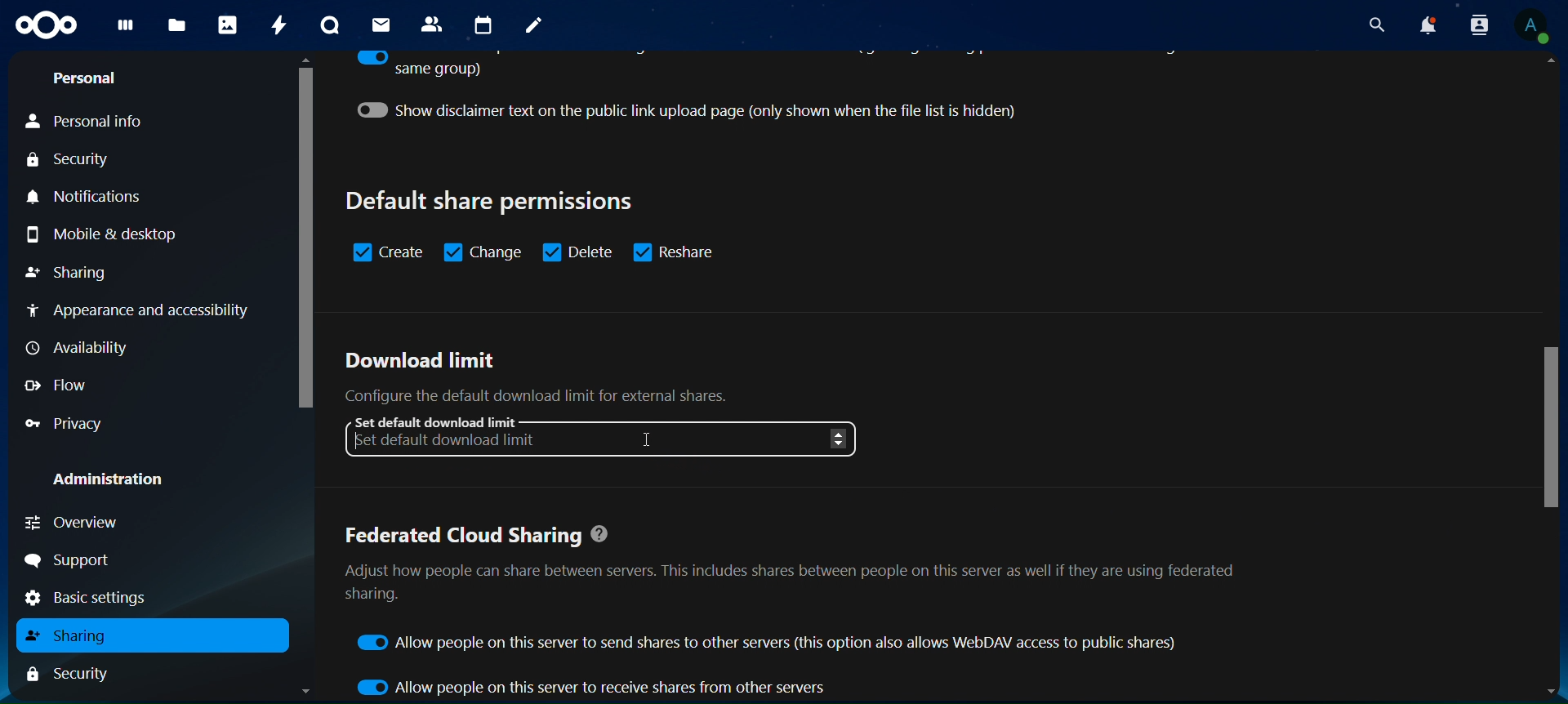  What do you see at coordinates (434, 24) in the screenshot?
I see `contacts` at bounding box center [434, 24].